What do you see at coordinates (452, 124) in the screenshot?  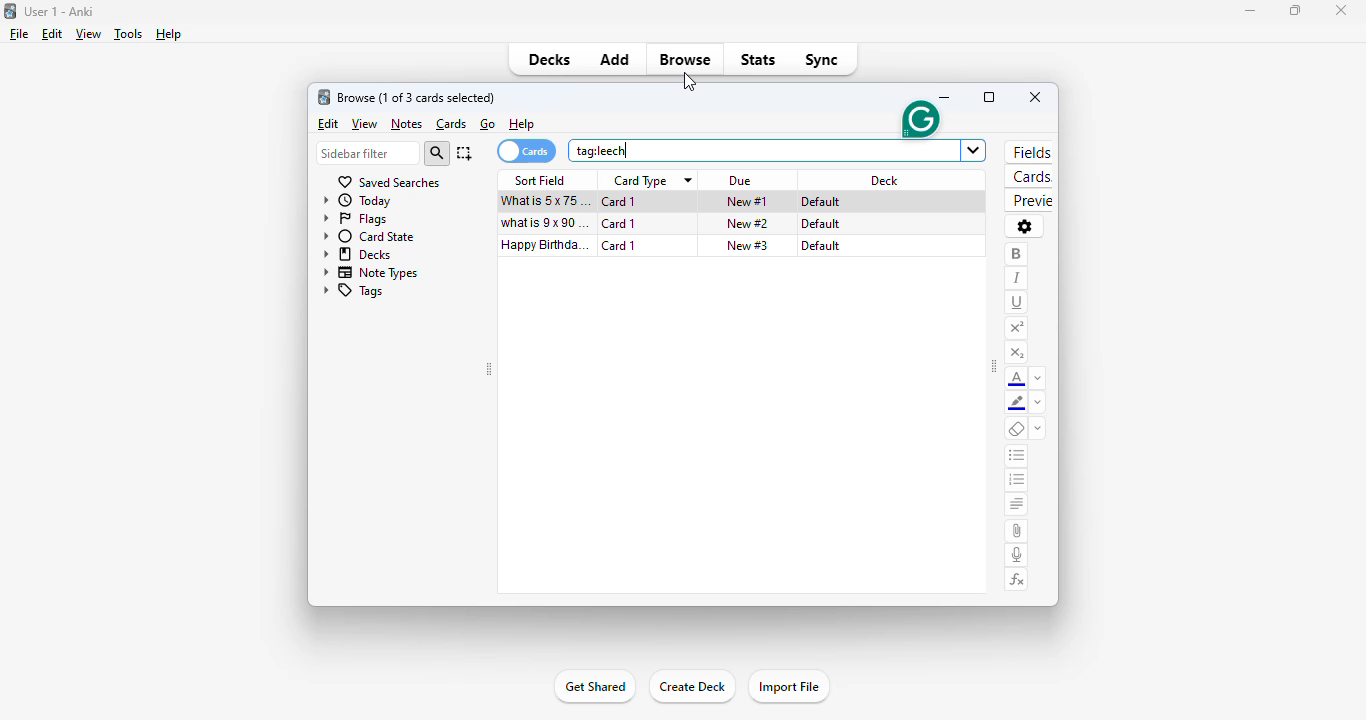 I see `cards` at bounding box center [452, 124].